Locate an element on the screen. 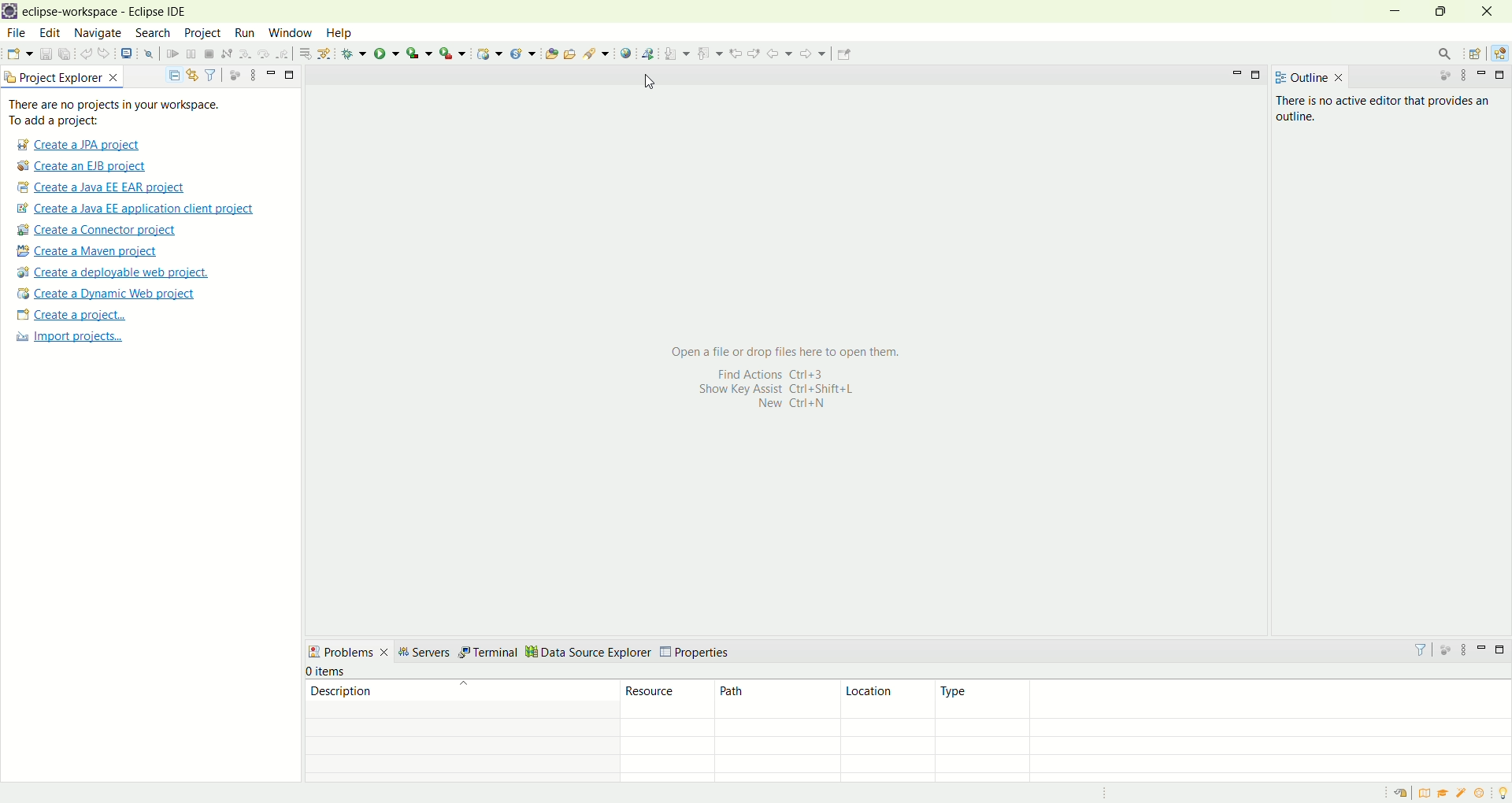 This screenshot has width=1512, height=803. open is located at coordinates (20, 56).